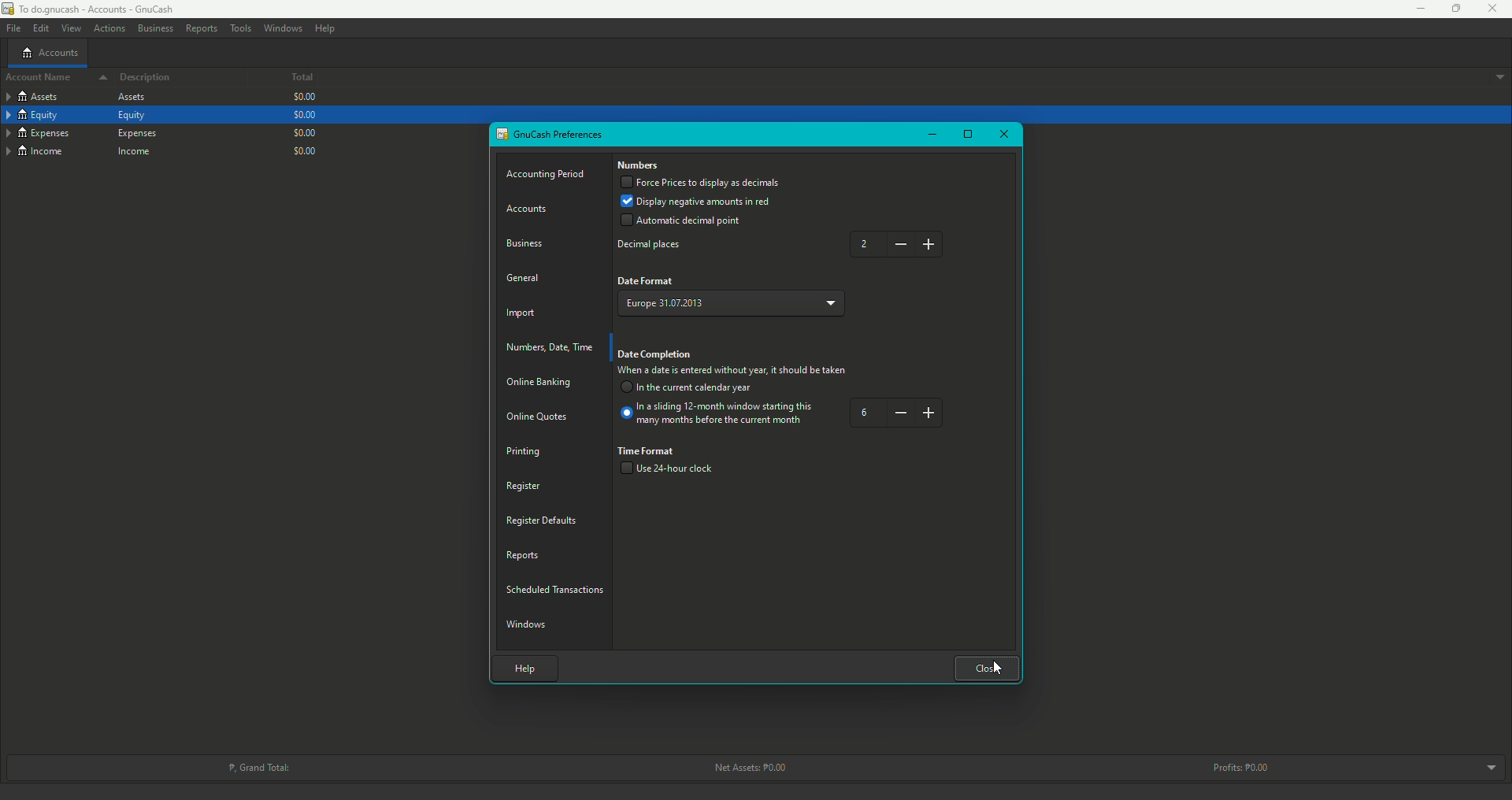 The height and width of the screenshot is (800, 1512). What do you see at coordinates (308, 150) in the screenshot?
I see `$0` at bounding box center [308, 150].